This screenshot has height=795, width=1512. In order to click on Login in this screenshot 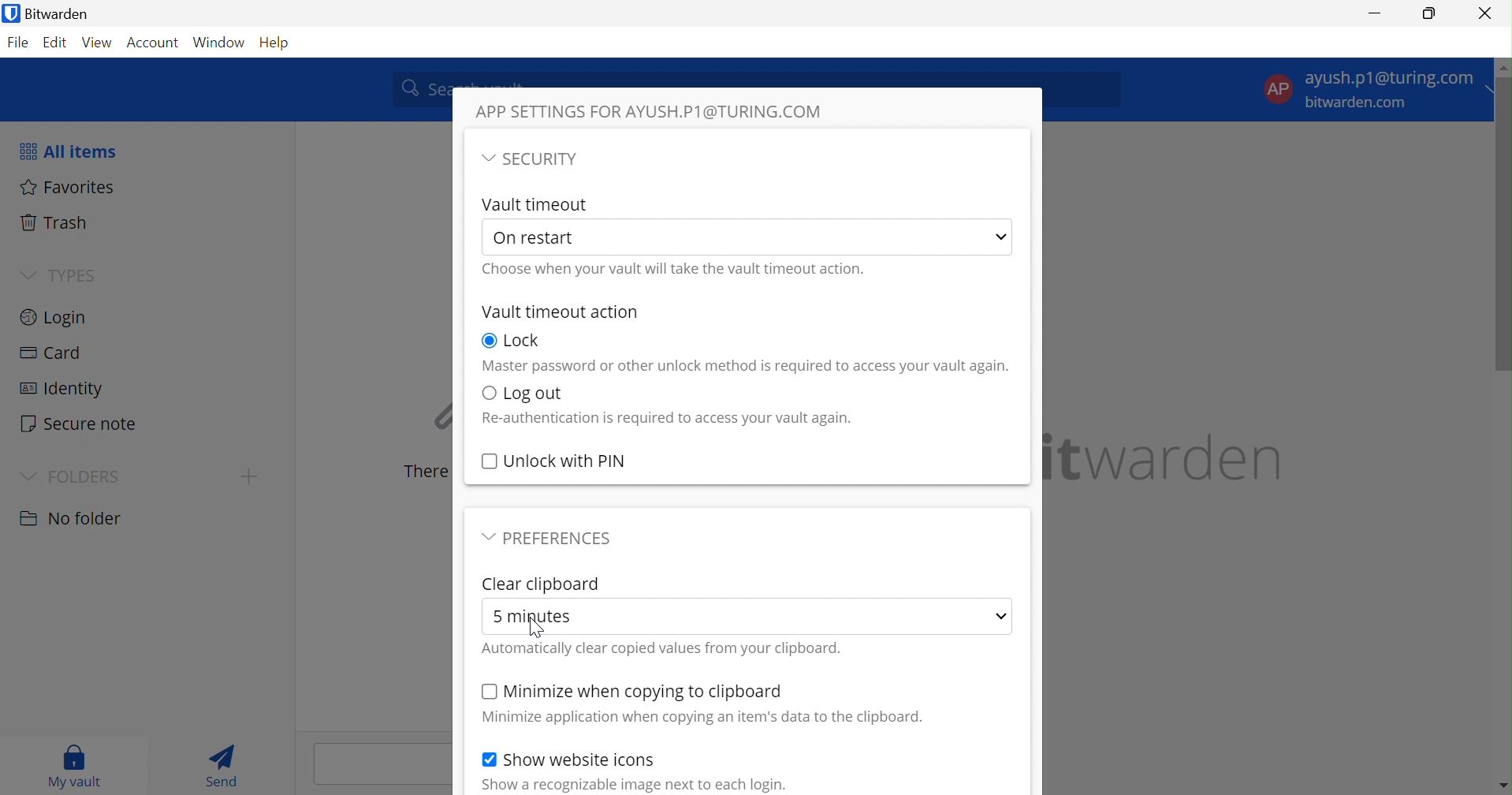, I will do `click(58, 318)`.